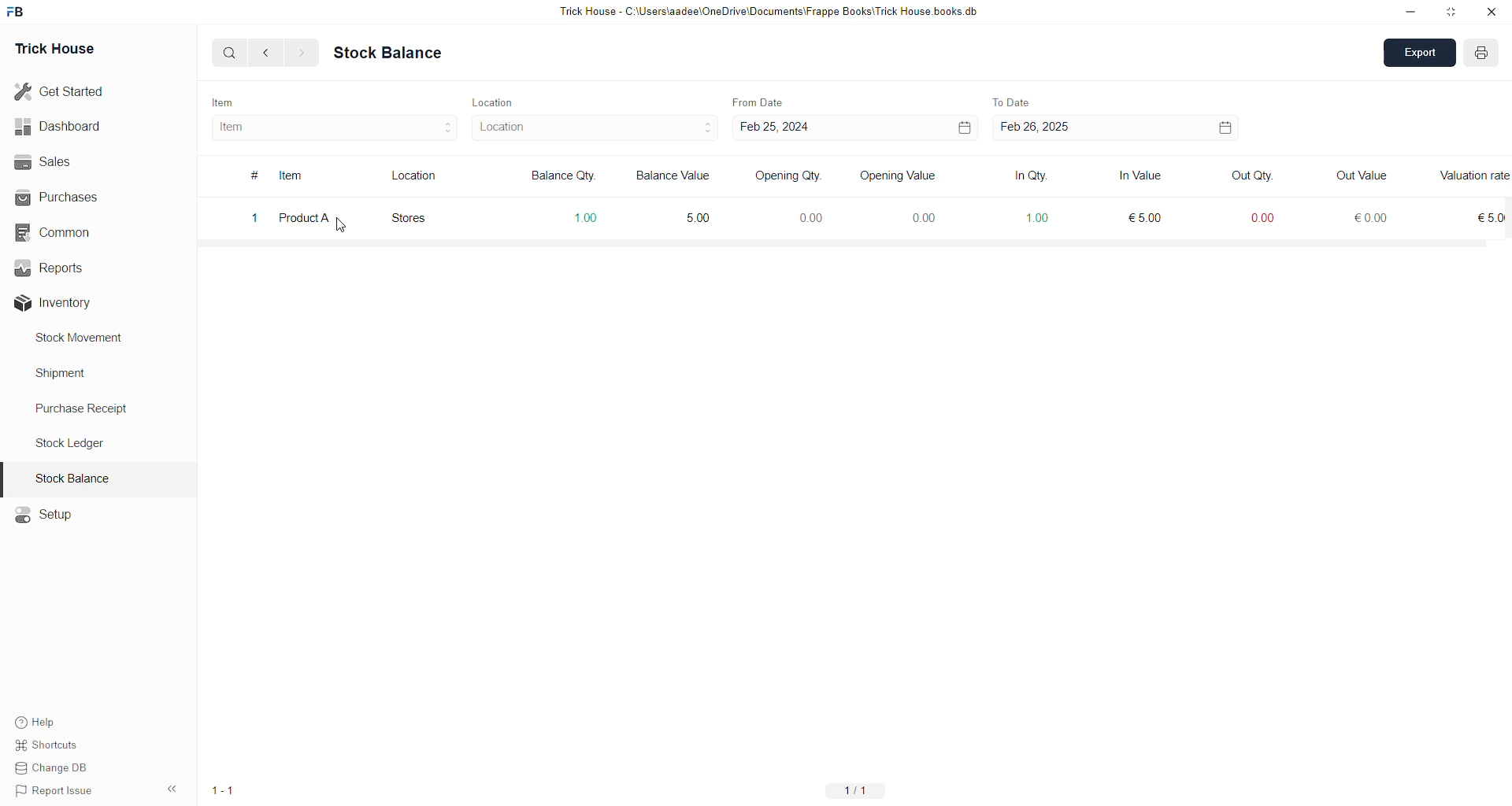 Image resolution: width=1512 pixels, height=806 pixels. Describe the element at coordinates (304, 54) in the screenshot. I see `Forward` at that location.